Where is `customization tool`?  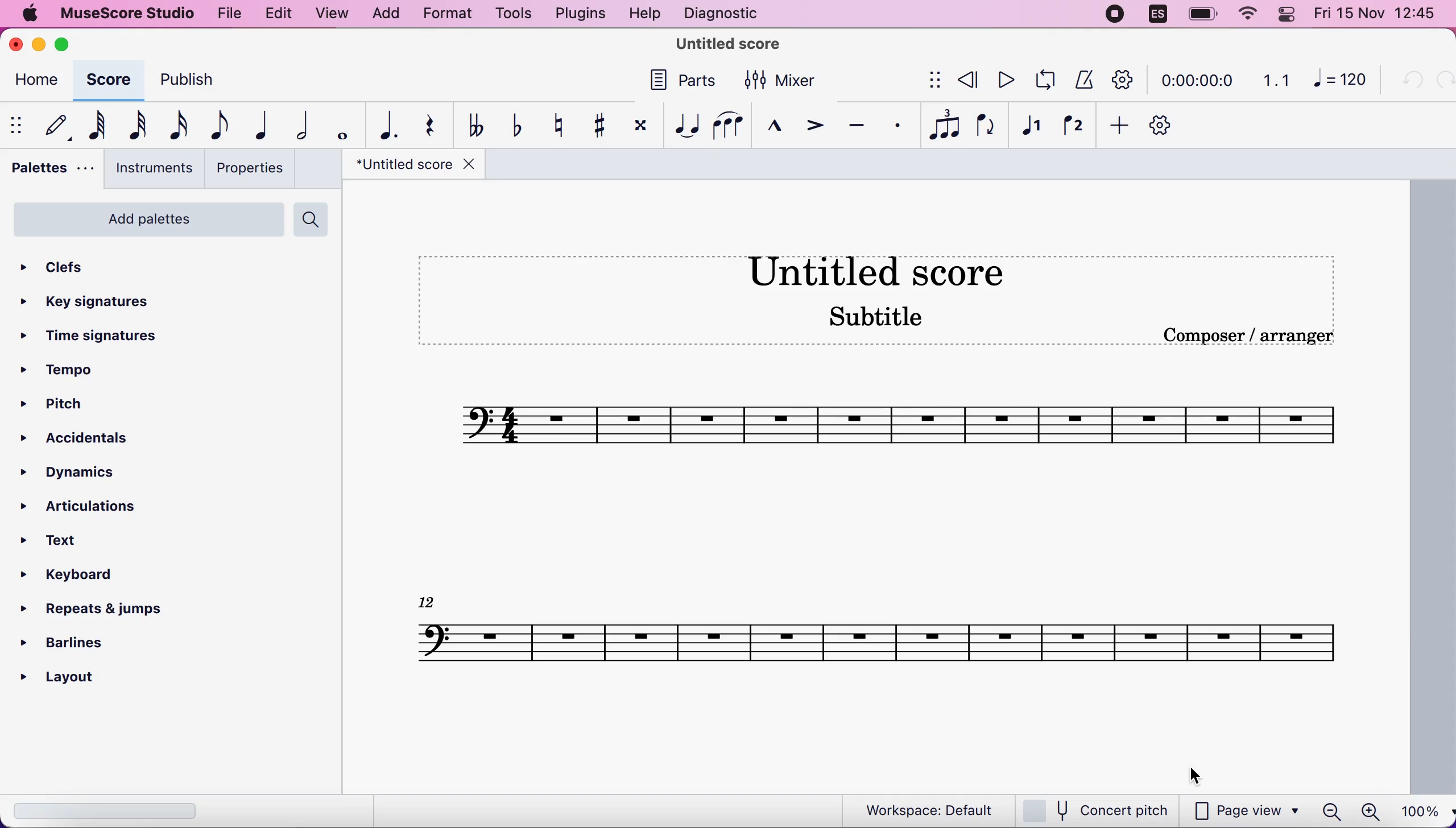
customization tool is located at coordinates (1162, 125).